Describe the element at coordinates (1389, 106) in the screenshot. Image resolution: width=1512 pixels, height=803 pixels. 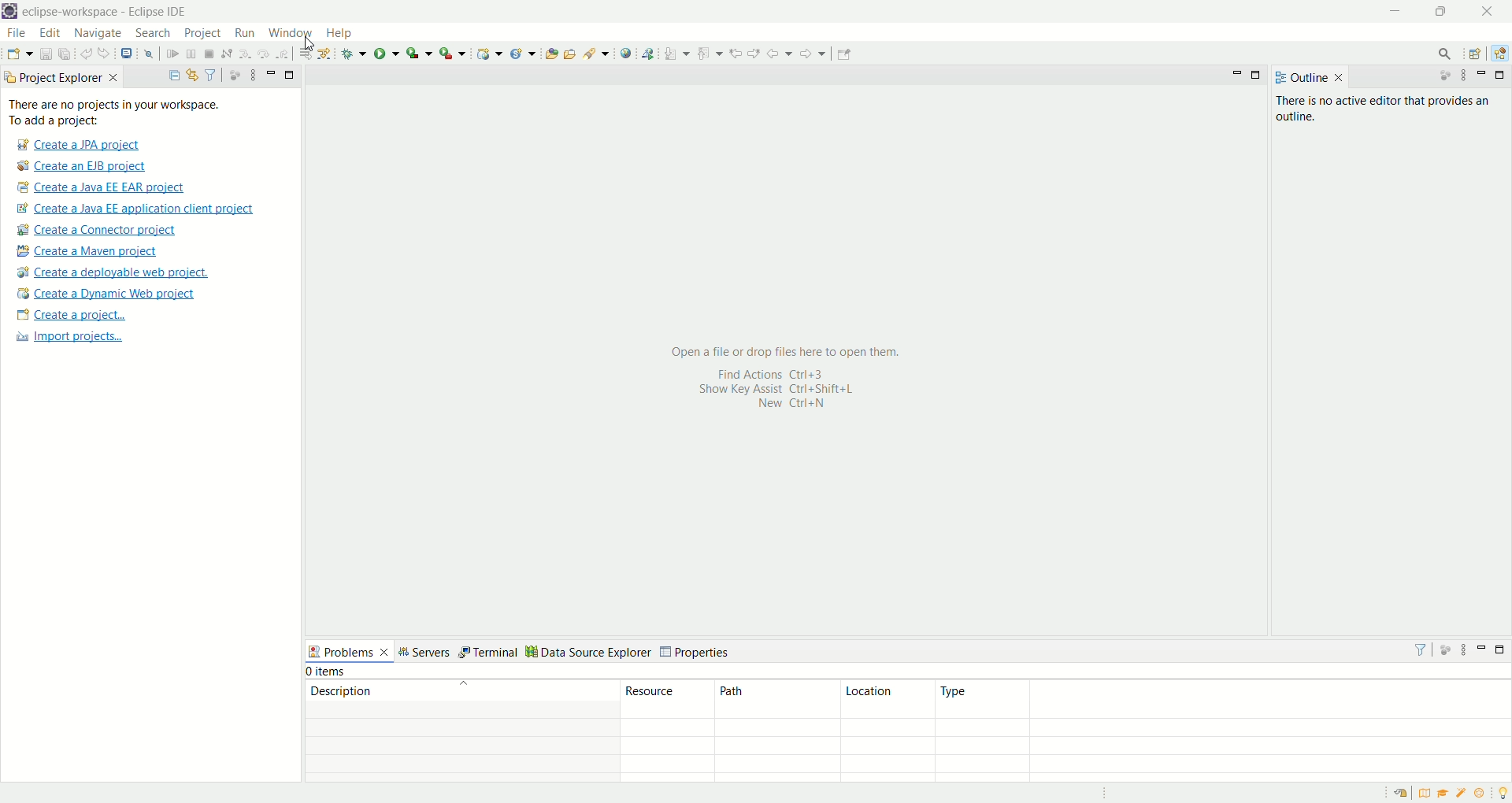
I see `there is no active editor that provides an outline` at that location.